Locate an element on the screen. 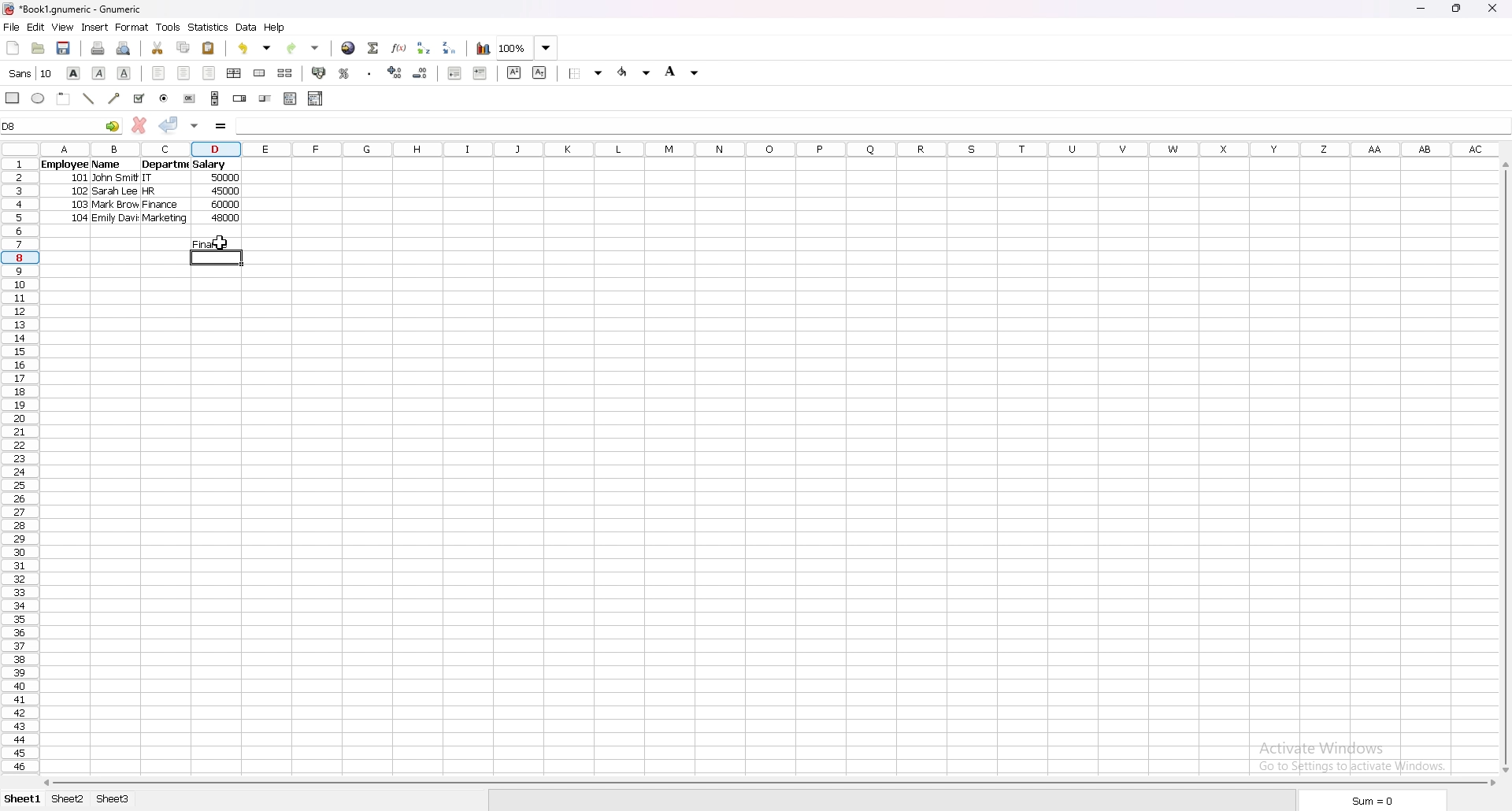  increase decimal is located at coordinates (395, 72).